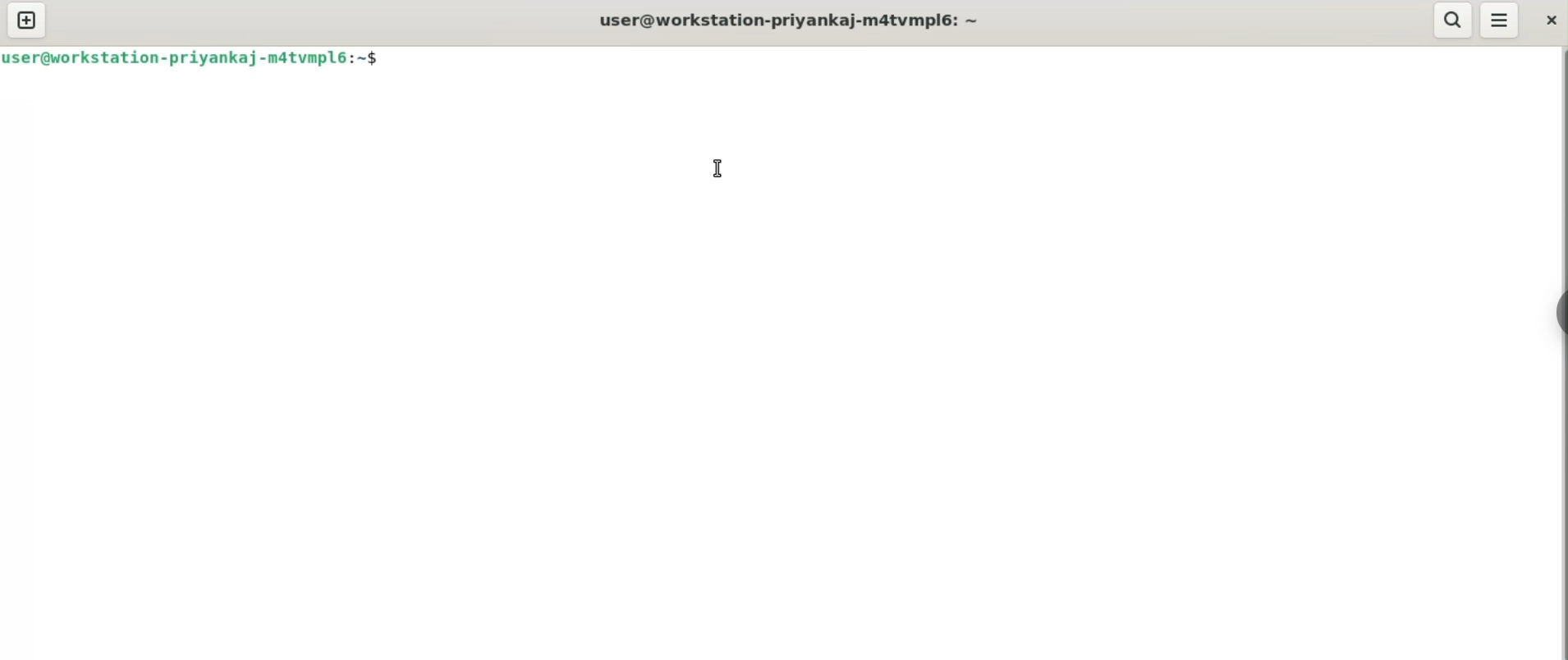 The image size is (1568, 660). Describe the element at coordinates (27, 21) in the screenshot. I see `new tab` at that location.